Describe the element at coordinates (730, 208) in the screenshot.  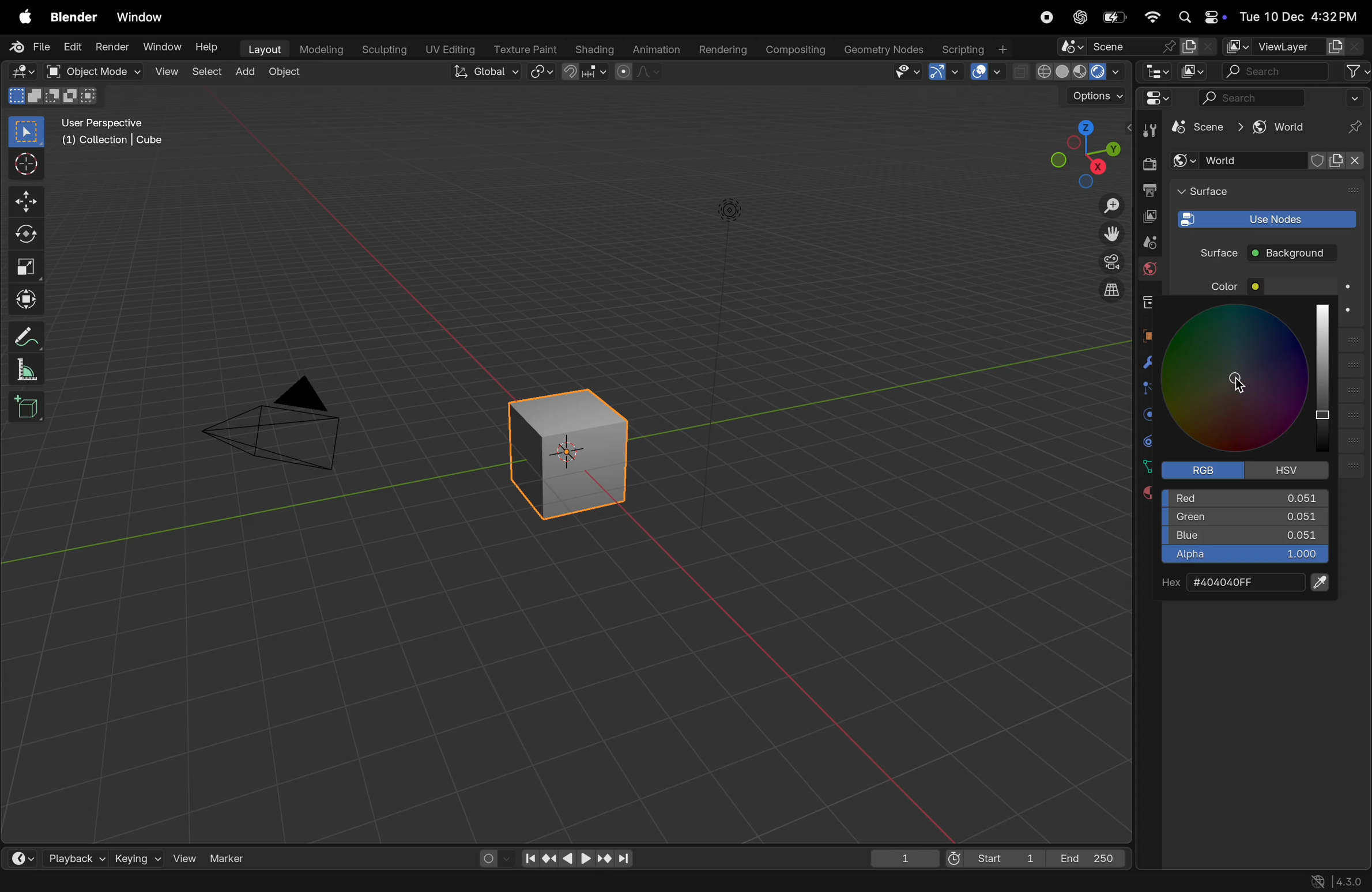
I see `` at that location.